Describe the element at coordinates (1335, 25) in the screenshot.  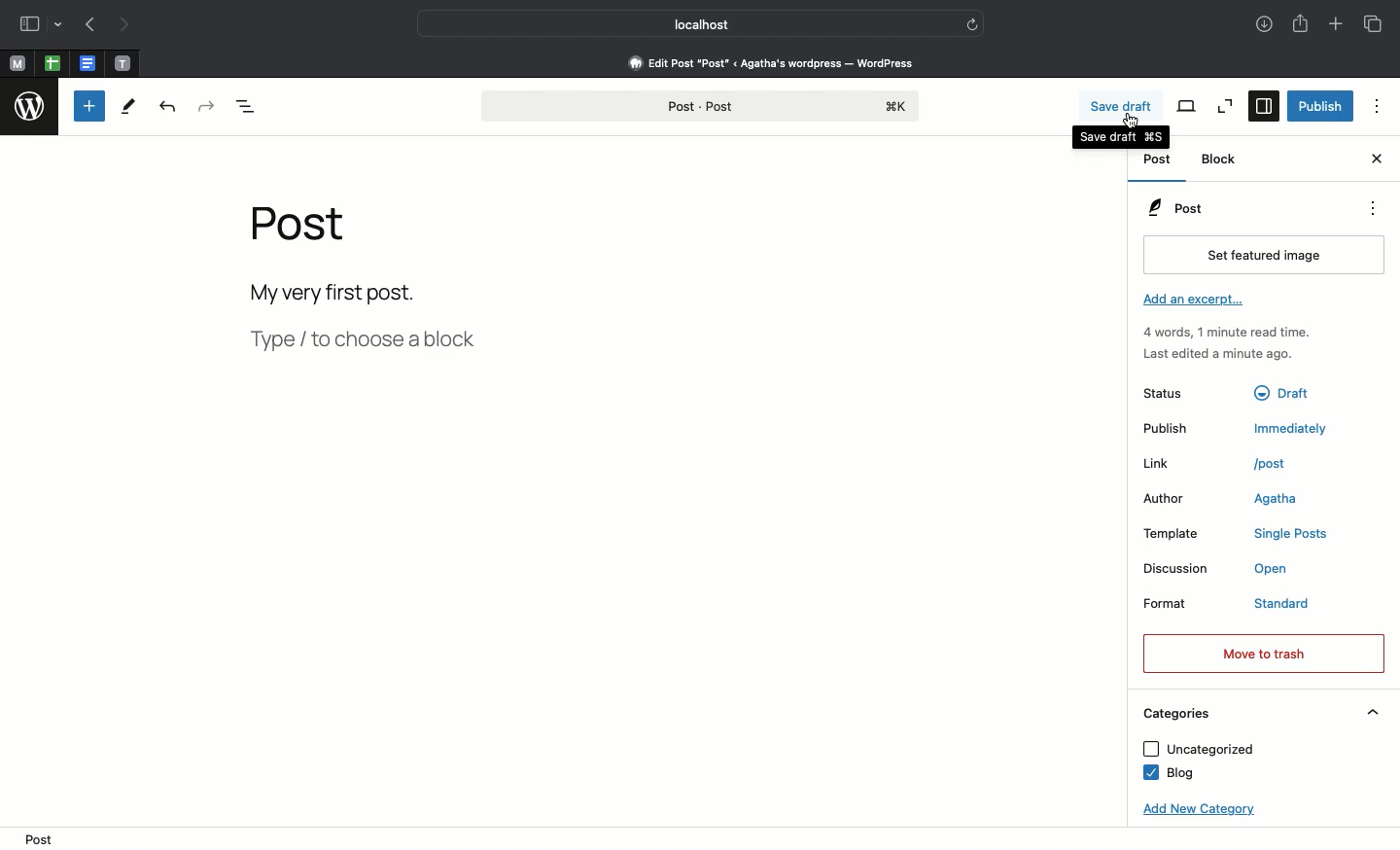
I see `Add new tab` at that location.